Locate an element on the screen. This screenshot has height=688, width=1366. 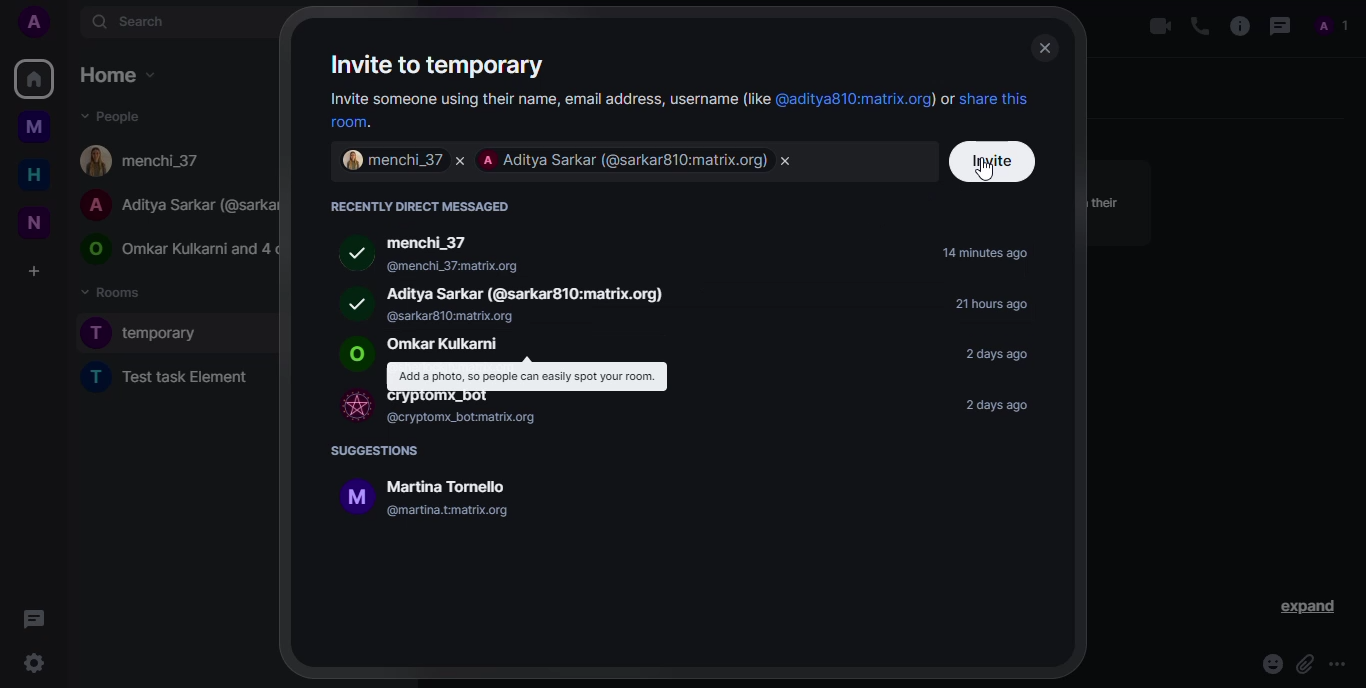
more is located at coordinates (1338, 664).